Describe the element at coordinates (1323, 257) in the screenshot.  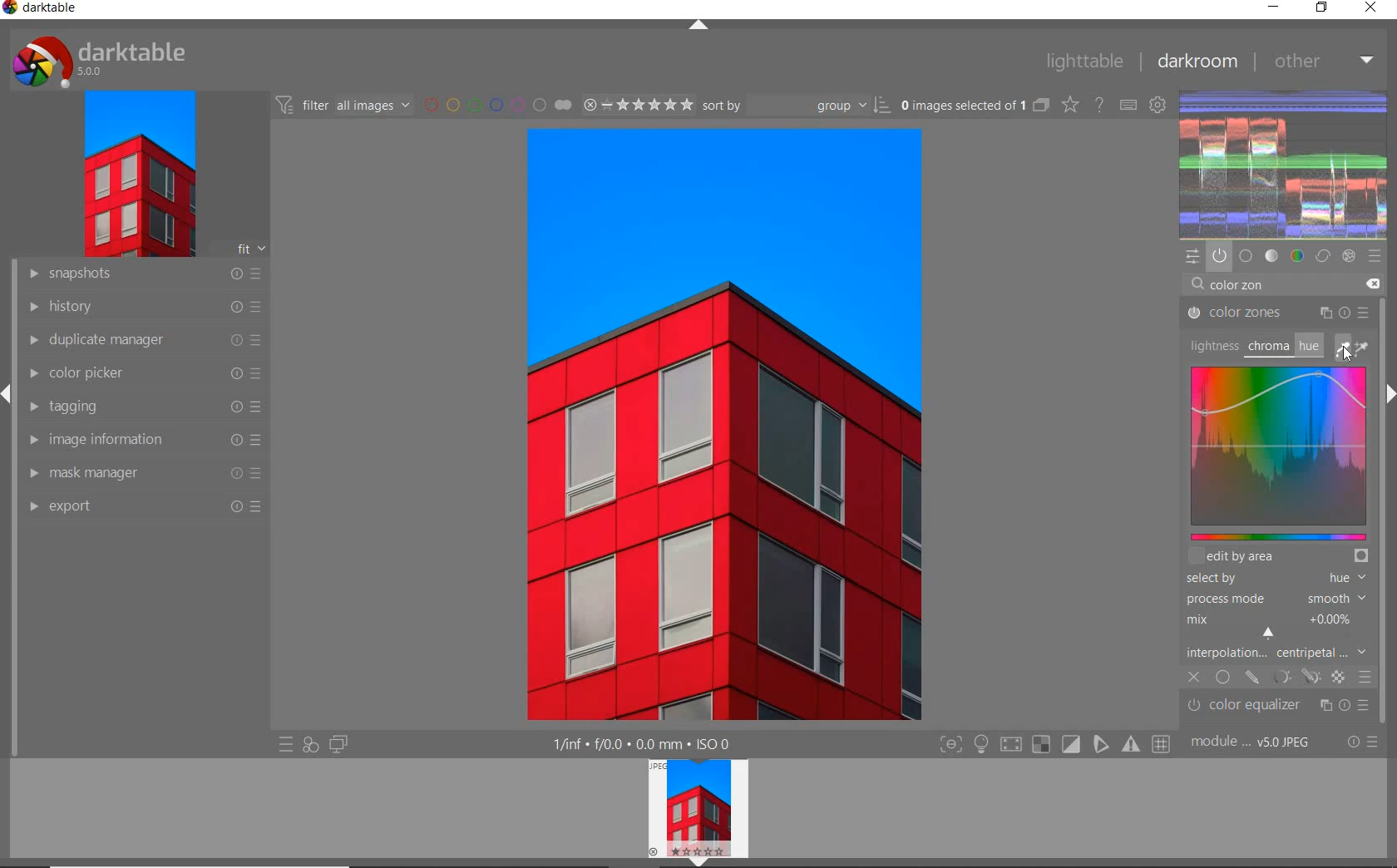
I see `correct` at that location.